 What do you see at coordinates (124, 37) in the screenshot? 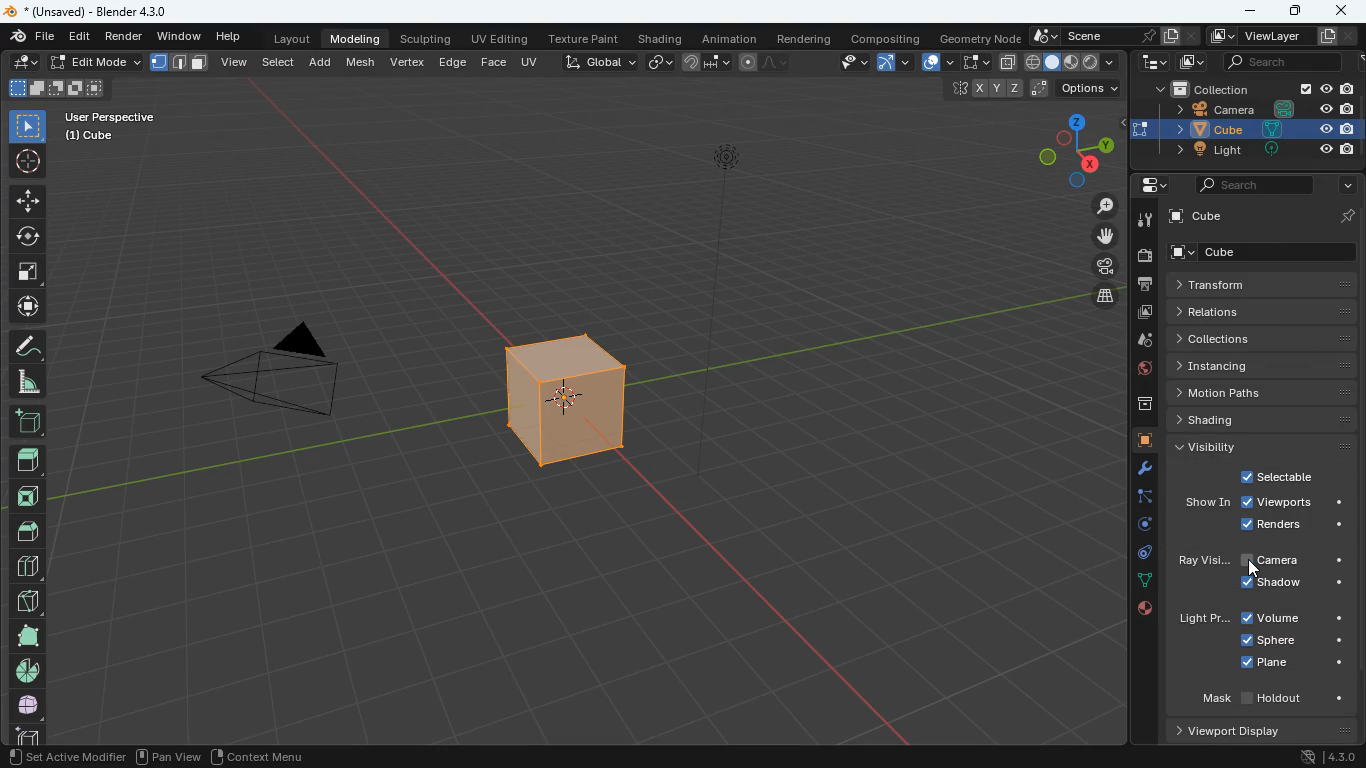
I see `render` at bounding box center [124, 37].